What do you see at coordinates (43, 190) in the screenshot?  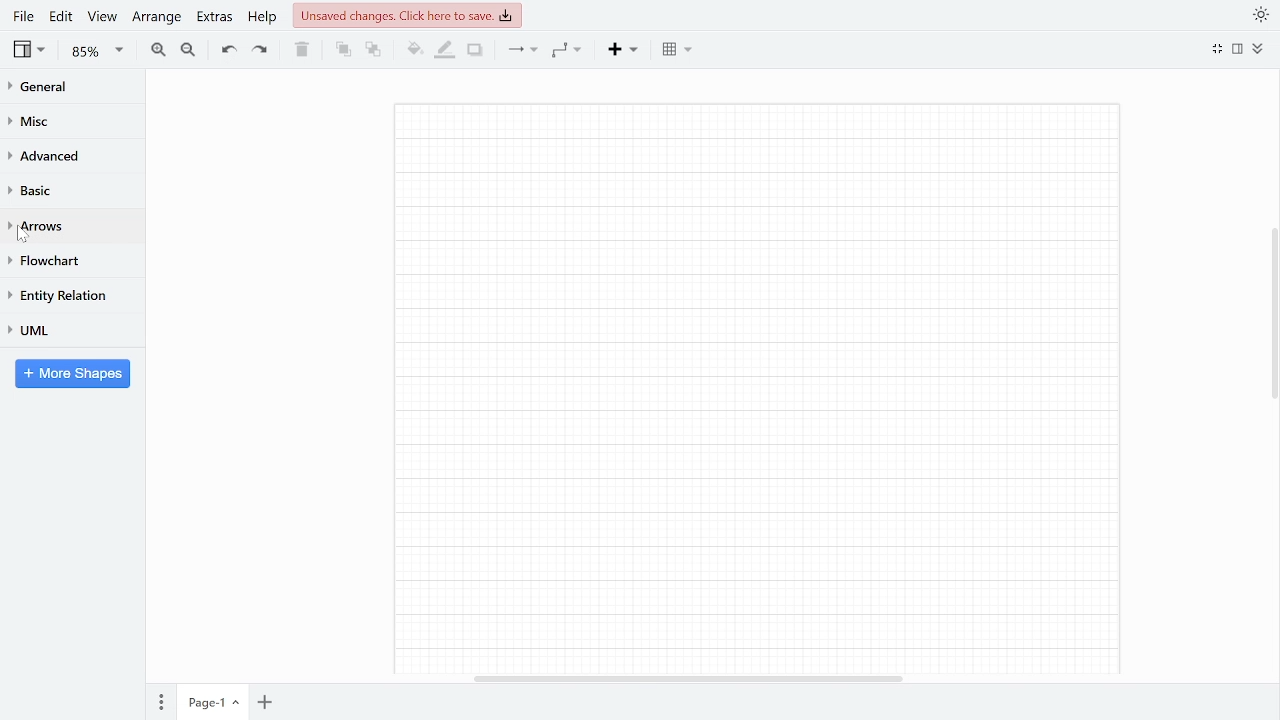 I see `Basic` at bounding box center [43, 190].